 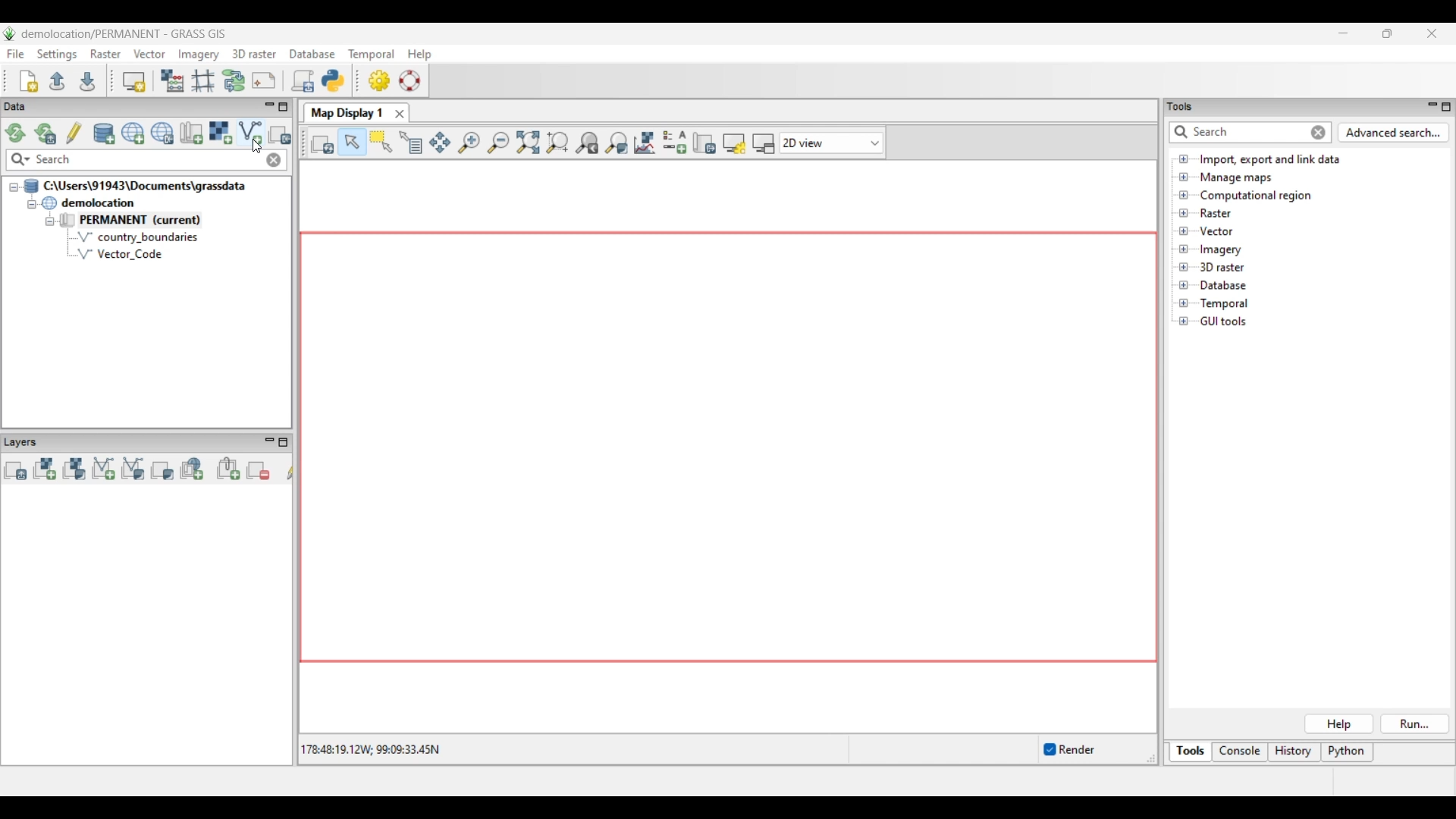 What do you see at coordinates (407, 143) in the screenshot?
I see `Query raster/vector map(s)` at bounding box center [407, 143].